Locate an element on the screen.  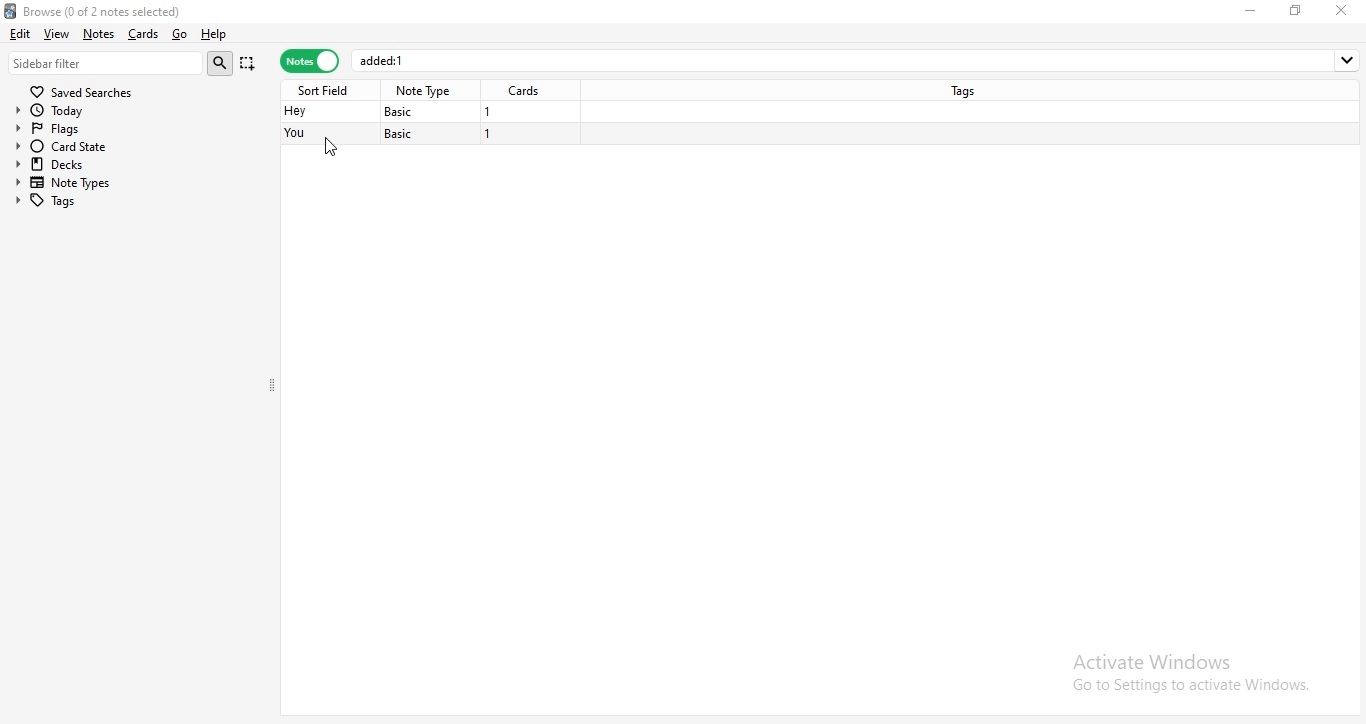
adjust is located at coordinates (277, 383).